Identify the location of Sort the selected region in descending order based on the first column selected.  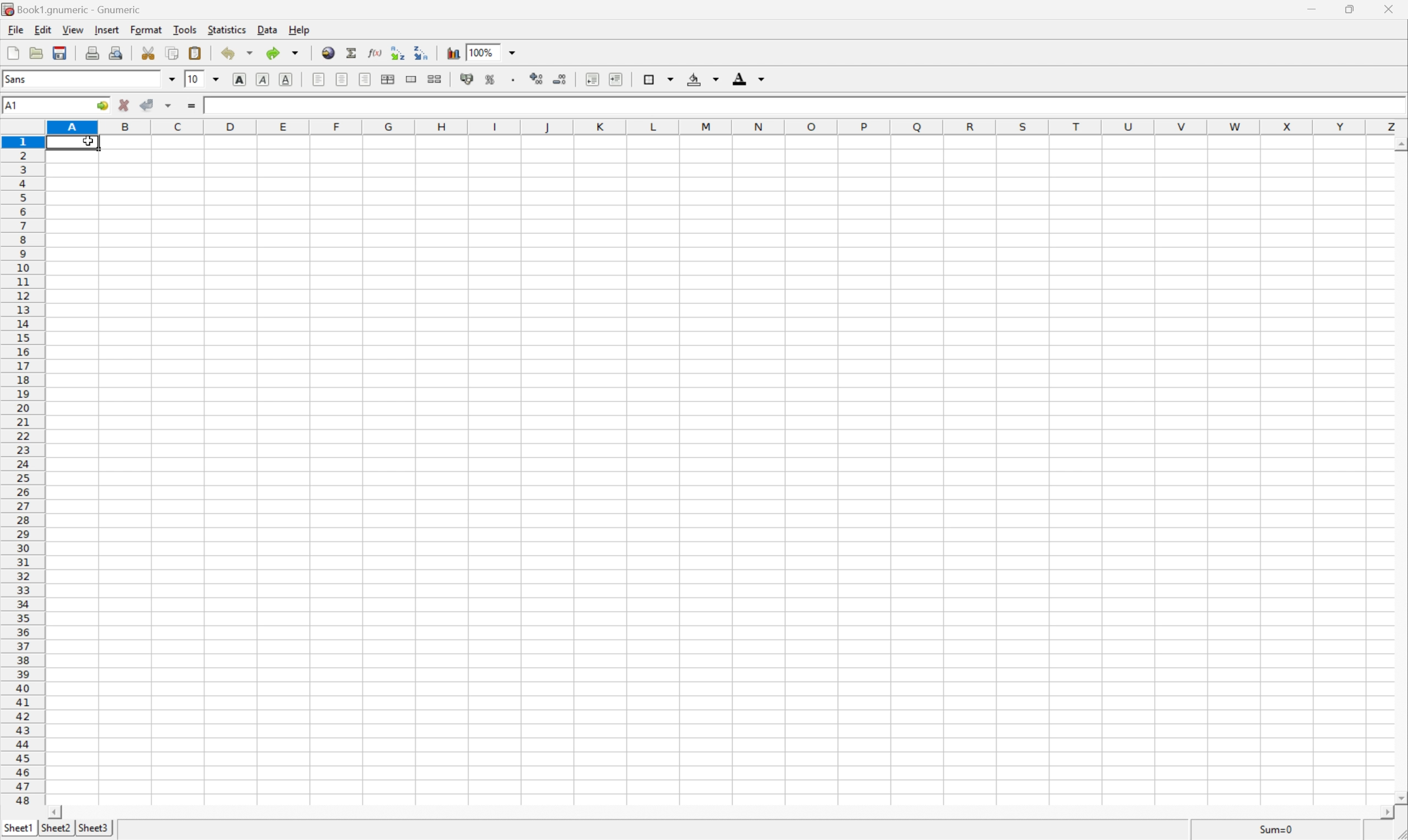
(422, 53).